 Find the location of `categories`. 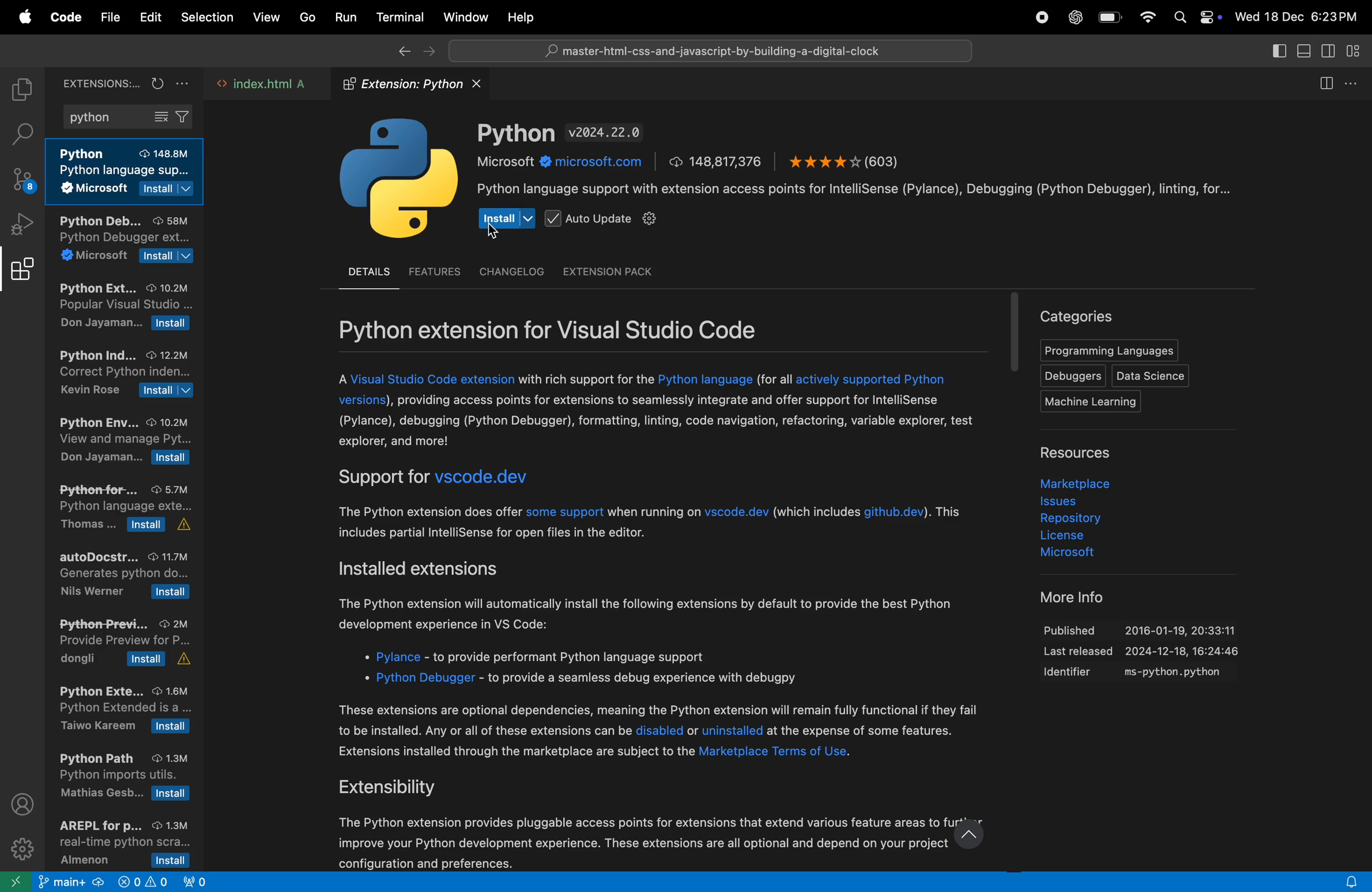

categories is located at coordinates (1078, 315).